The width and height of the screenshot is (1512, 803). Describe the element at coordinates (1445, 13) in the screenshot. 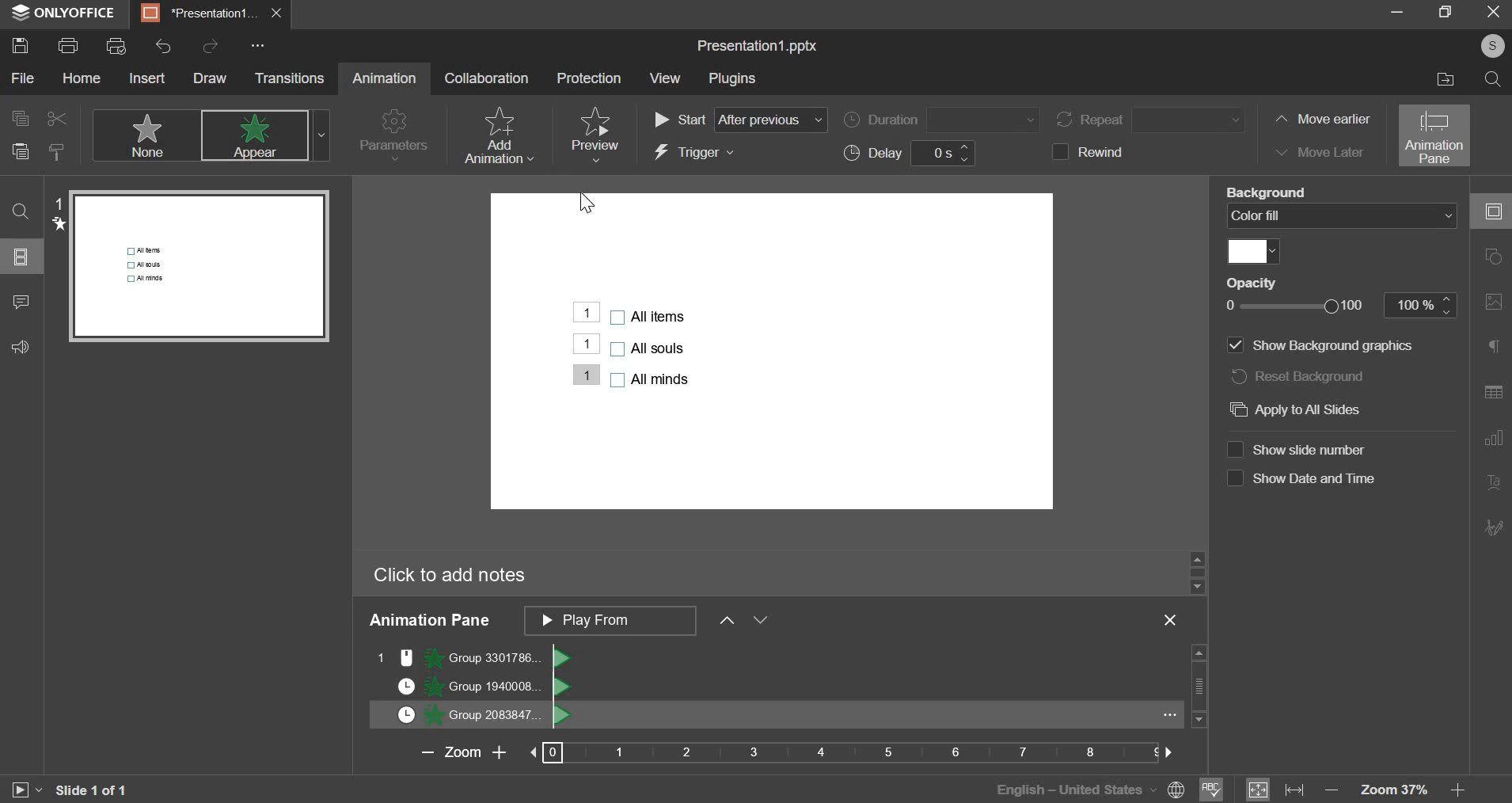

I see `maximize` at that location.